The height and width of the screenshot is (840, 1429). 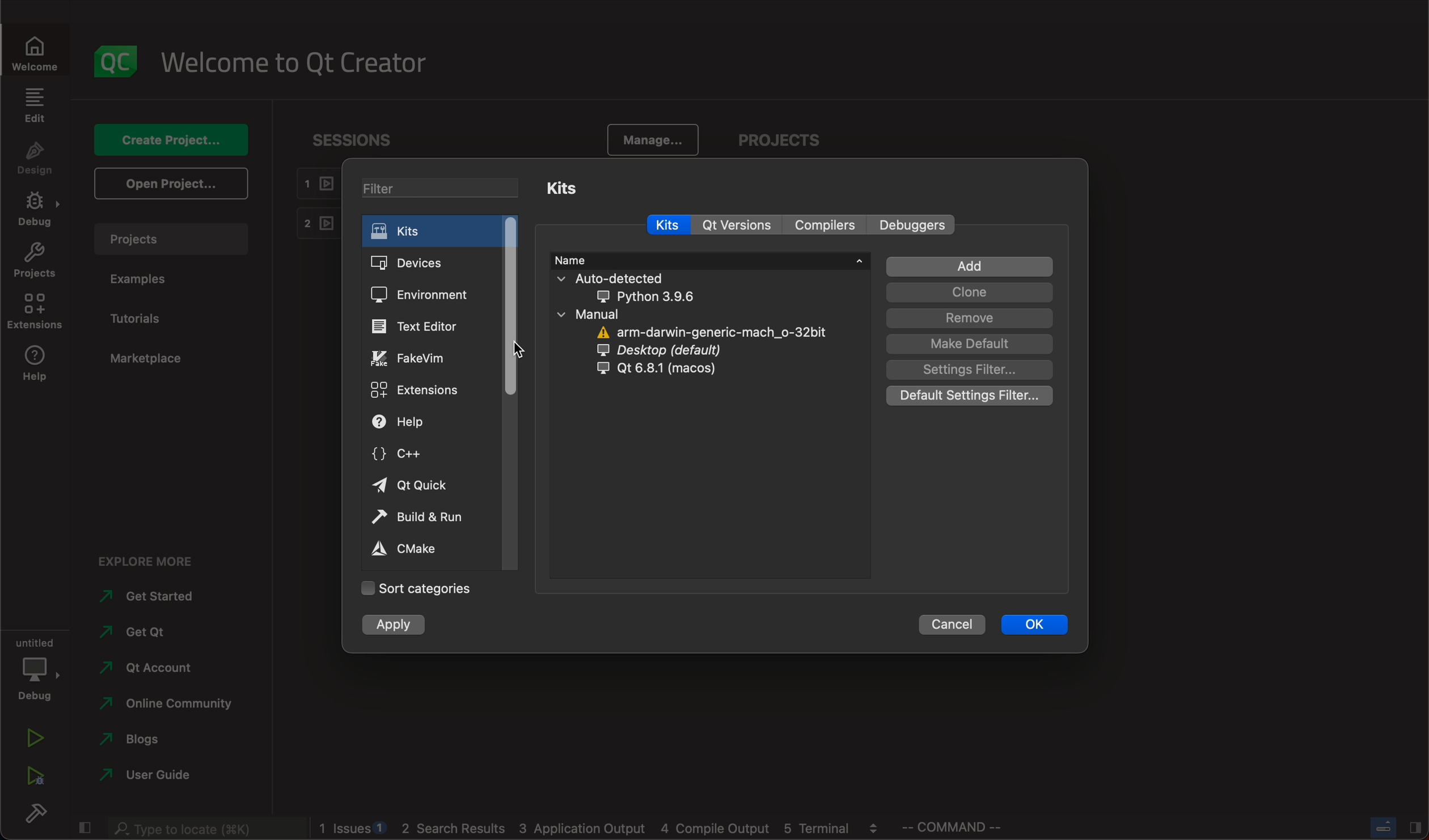 What do you see at coordinates (971, 396) in the screenshot?
I see `default` at bounding box center [971, 396].